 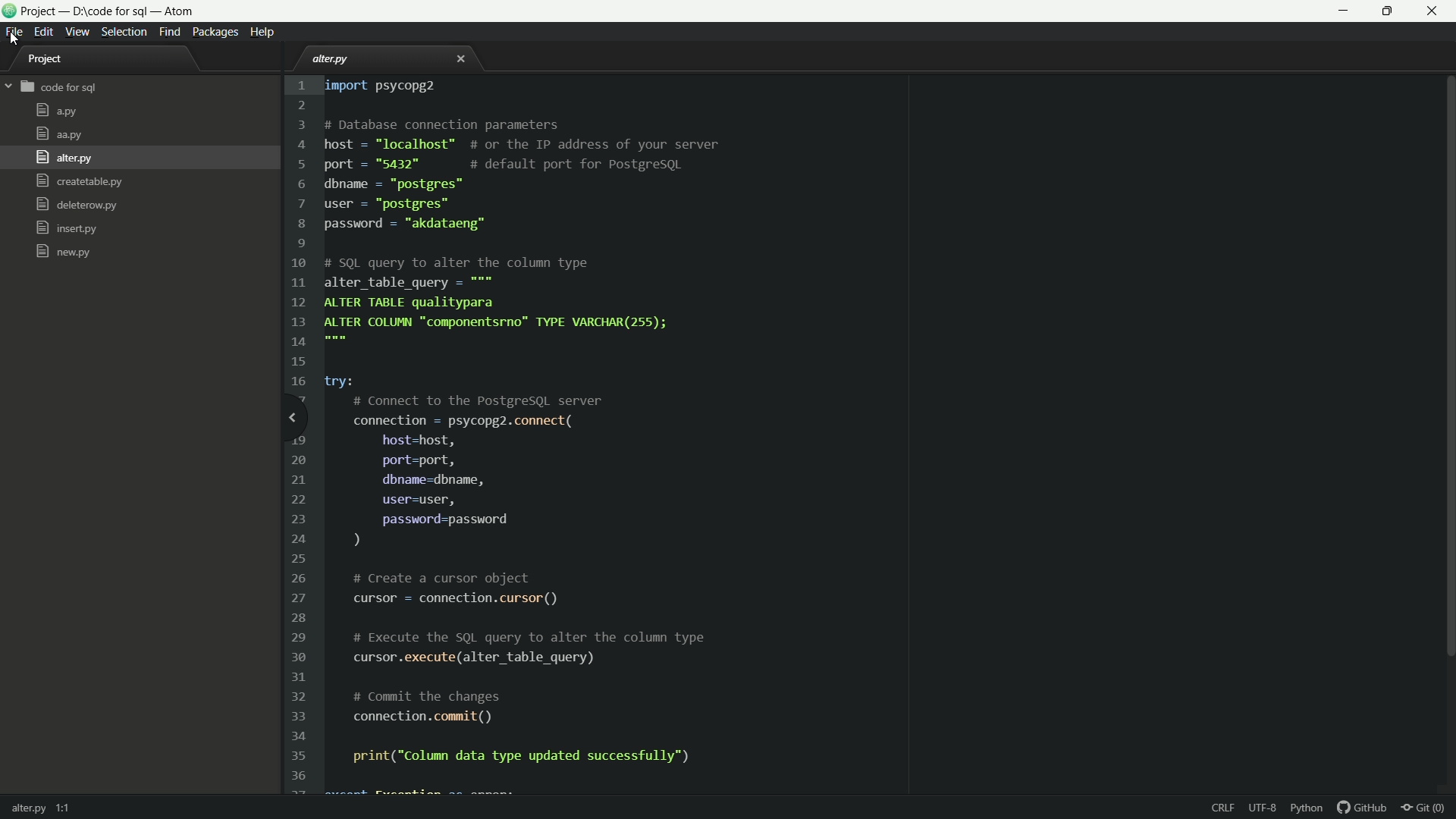 What do you see at coordinates (12, 40) in the screenshot?
I see `cursor` at bounding box center [12, 40].